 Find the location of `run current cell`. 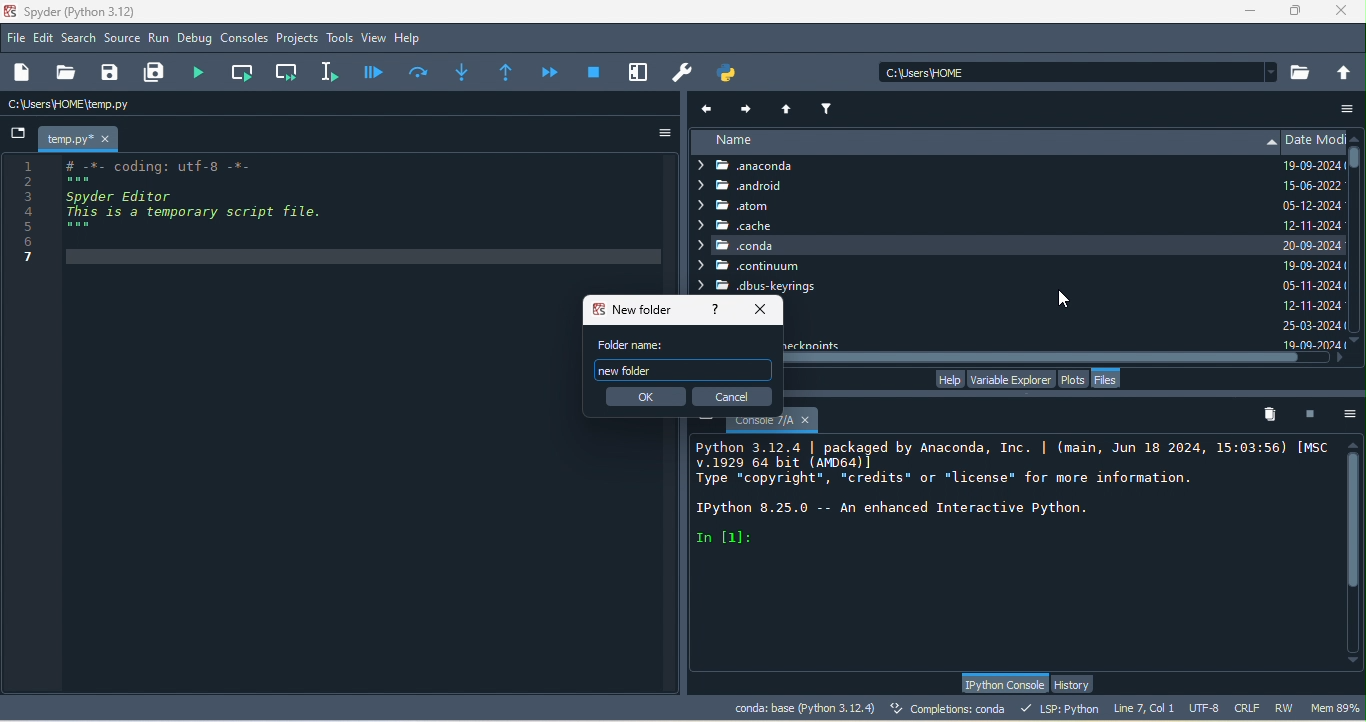

run current cell is located at coordinates (245, 72).